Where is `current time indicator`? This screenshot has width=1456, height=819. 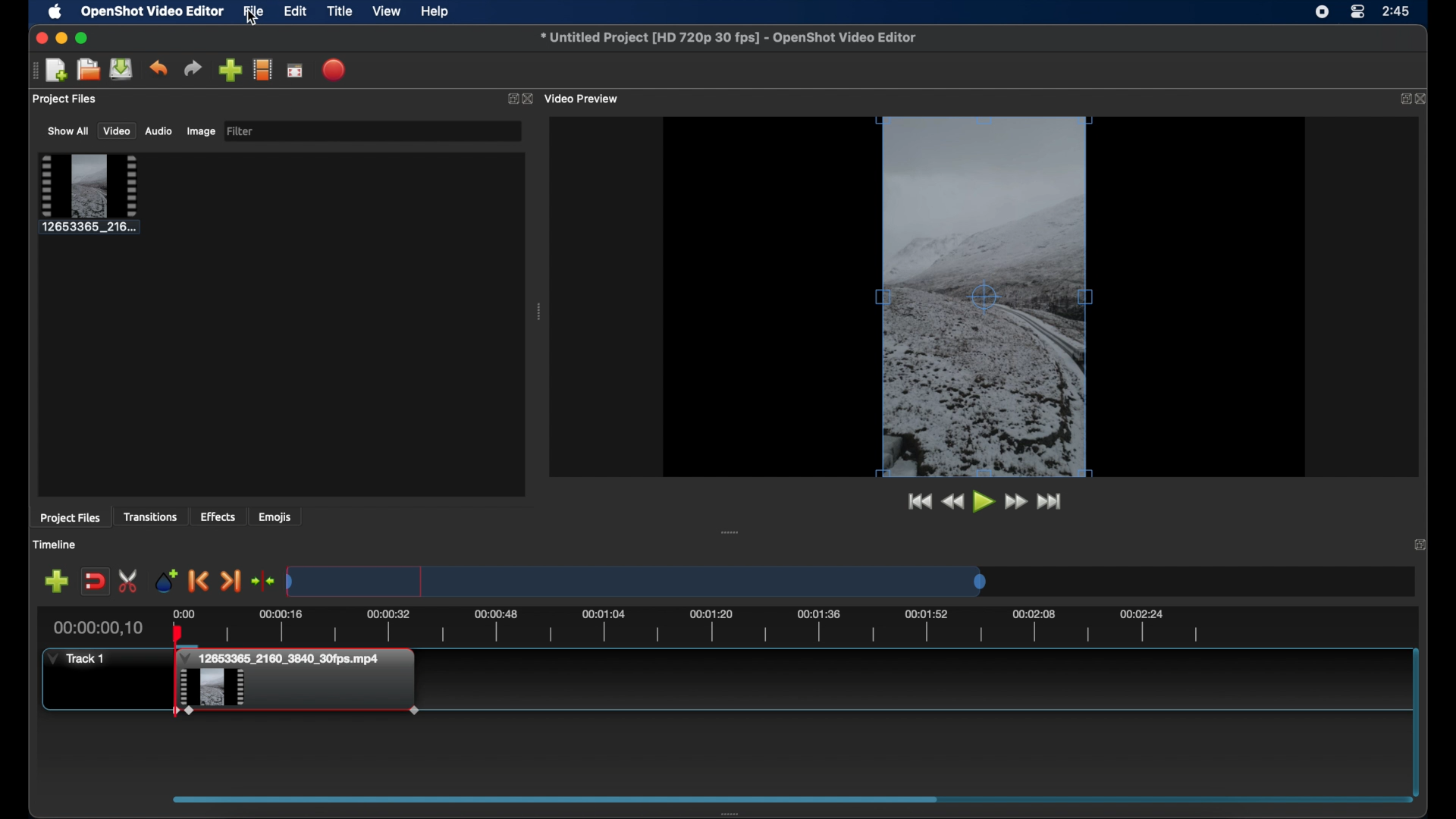 current time indicator is located at coordinates (102, 626).